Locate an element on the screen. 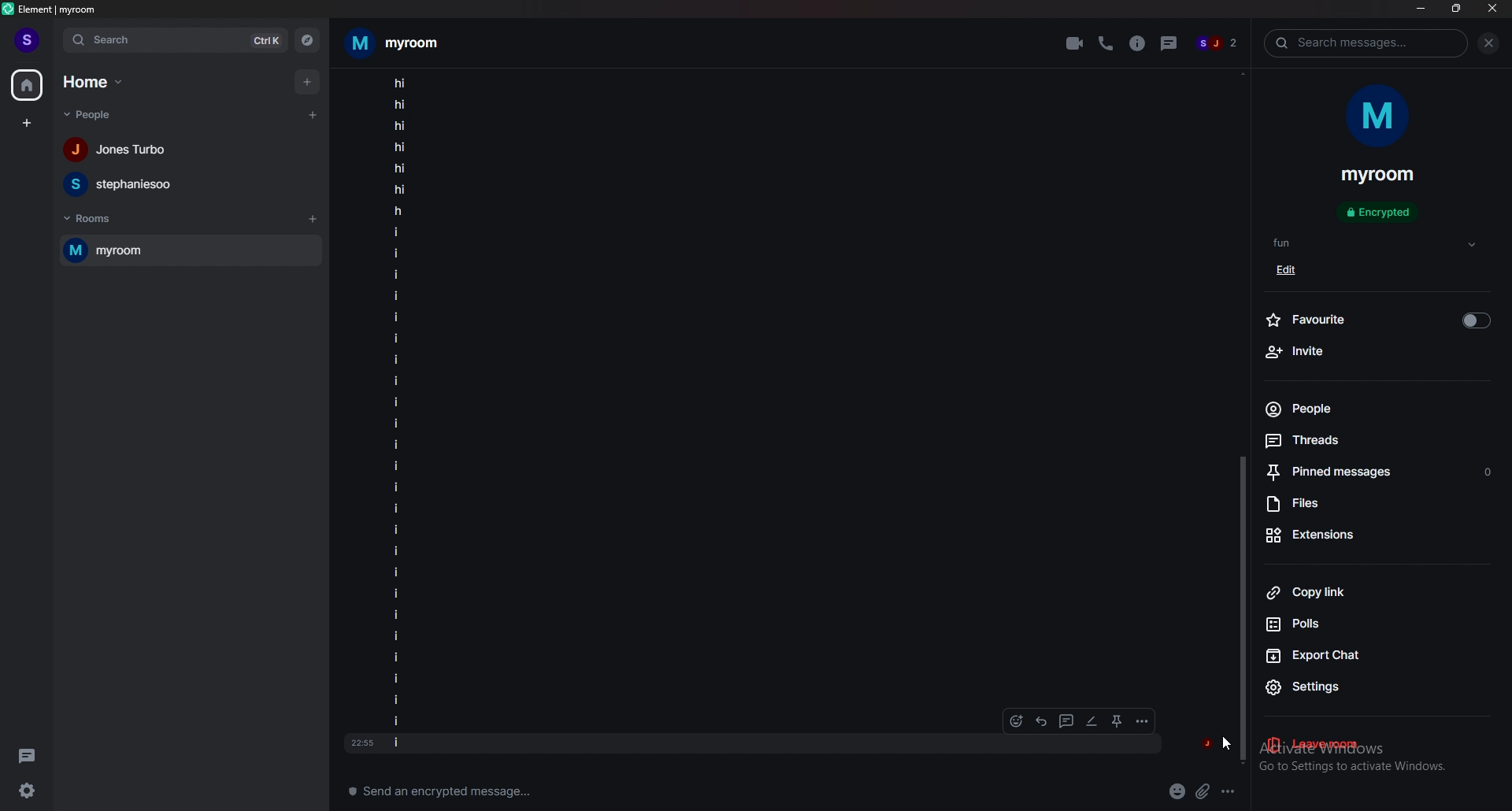 This screenshot has height=811, width=1512. scroll bar is located at coordinates (1244, 609).